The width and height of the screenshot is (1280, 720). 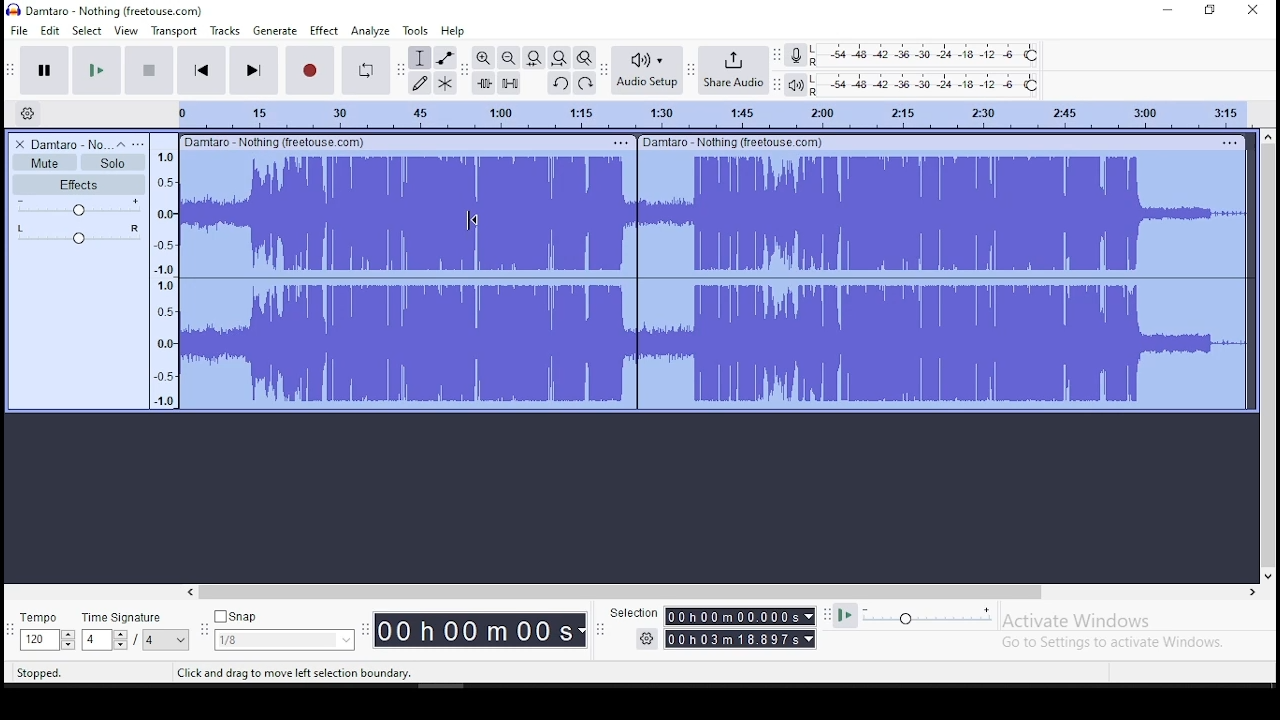 I want to click on scroll bar, so click(x=1268, y=356).